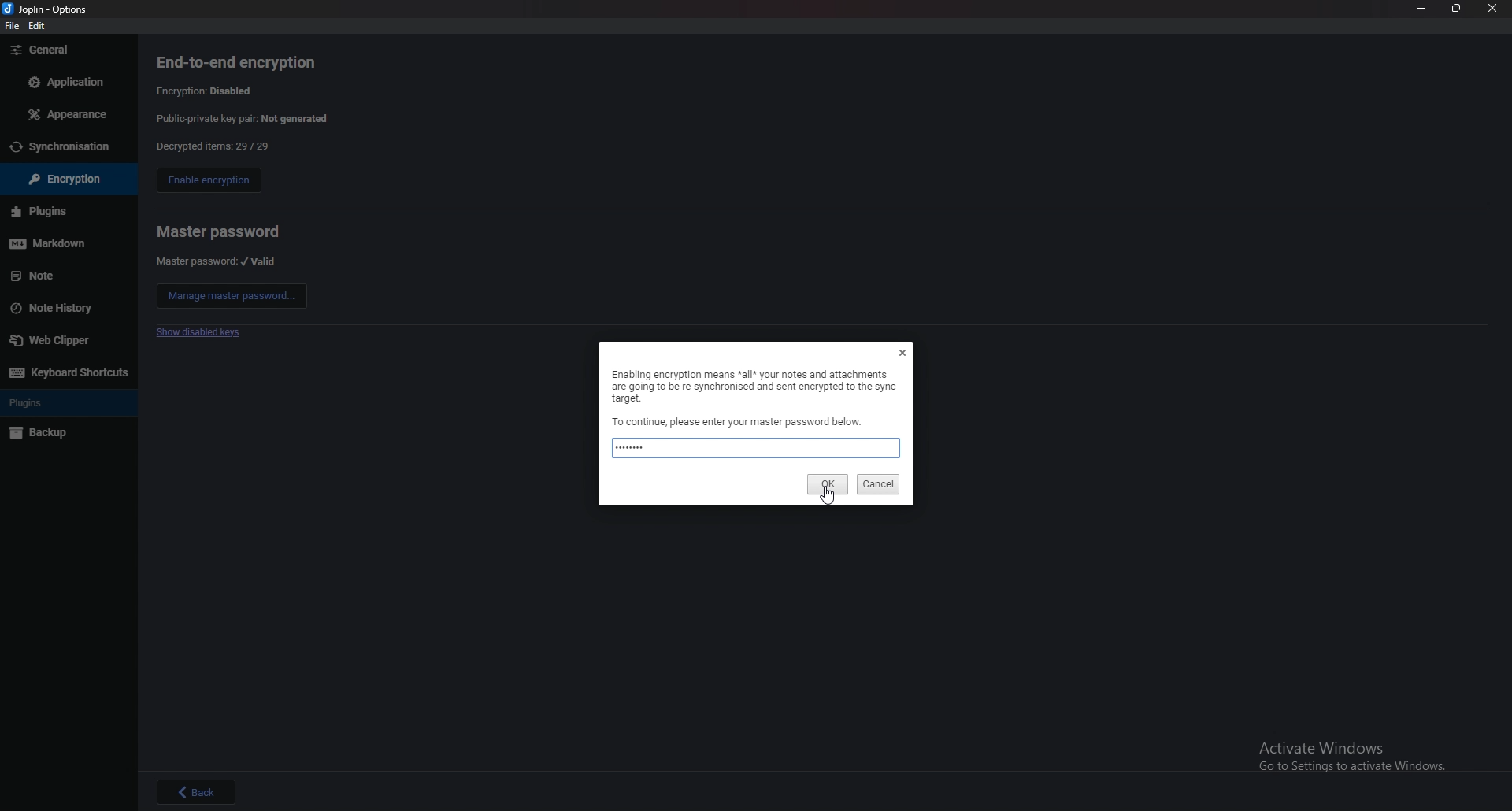  What do you see at coordinates (10, 26) in the screenshot?
I see `` at bounding box center [10, 26].